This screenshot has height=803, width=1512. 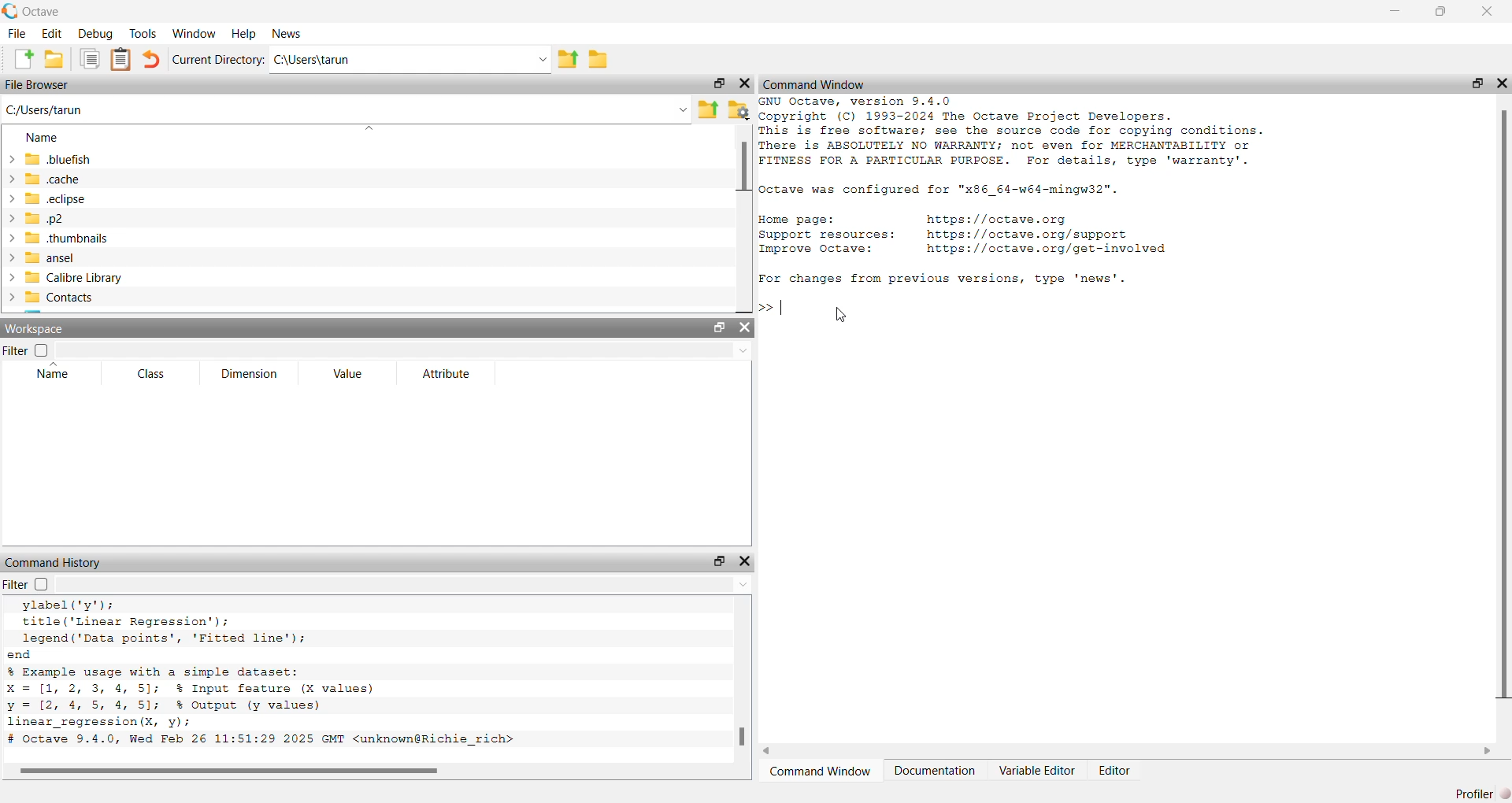 What do you see at coordinates (778, 749) in the screenshot?
I see `move left` at bounding box center [778, 749].